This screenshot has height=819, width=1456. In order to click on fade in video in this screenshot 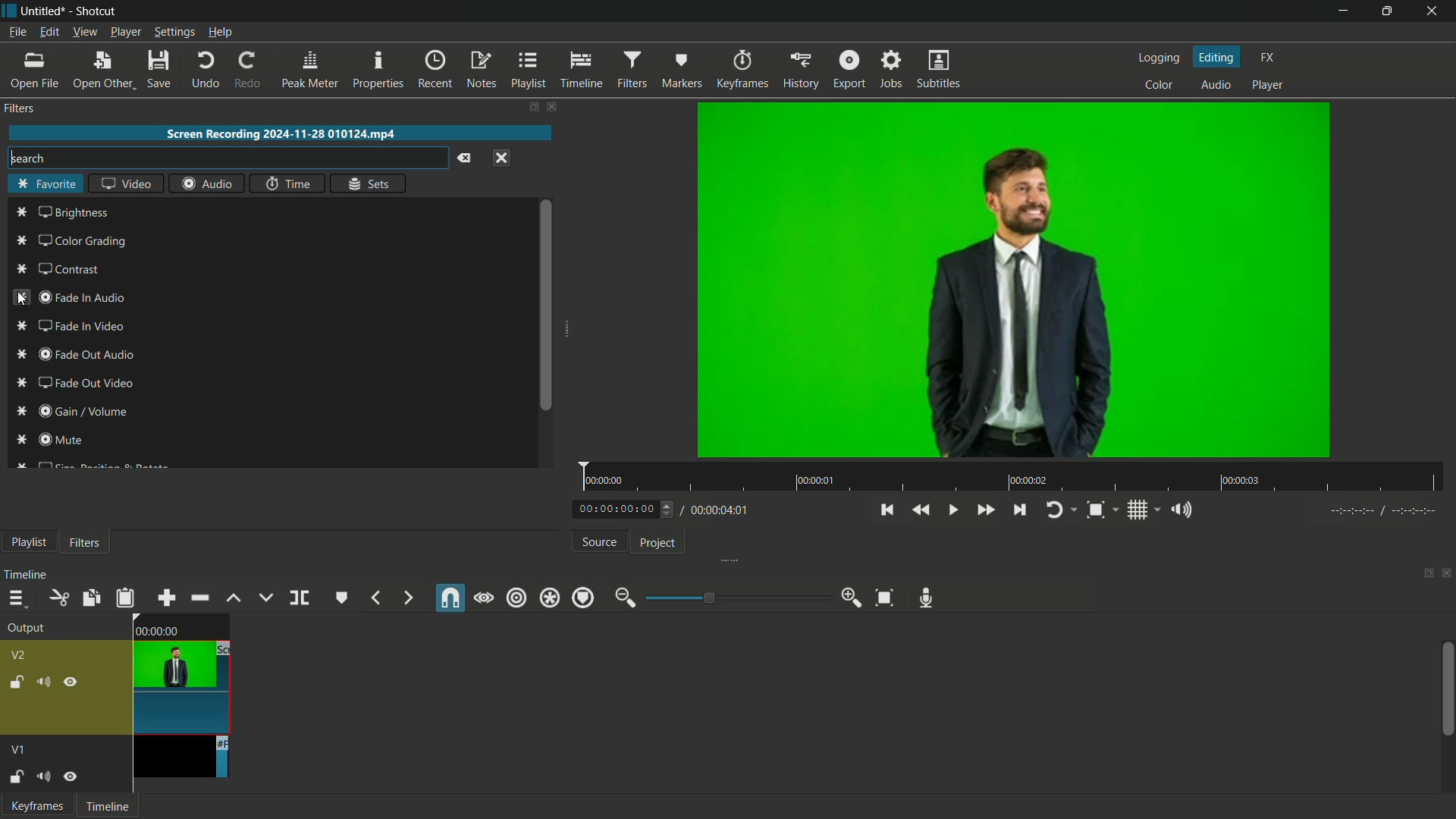, I will do `click(71, 326)`.